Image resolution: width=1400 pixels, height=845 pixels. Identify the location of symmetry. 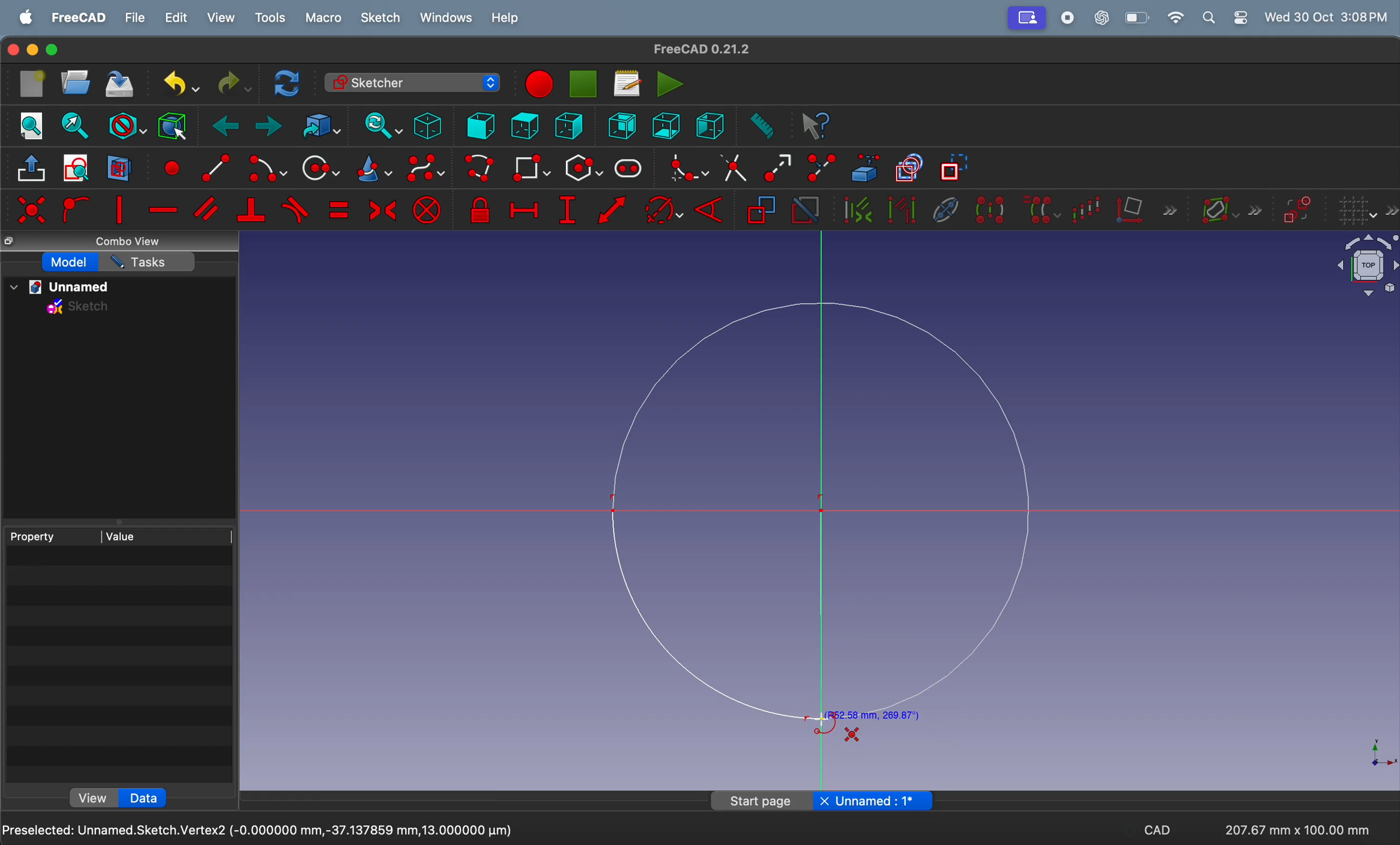
(989, 209).